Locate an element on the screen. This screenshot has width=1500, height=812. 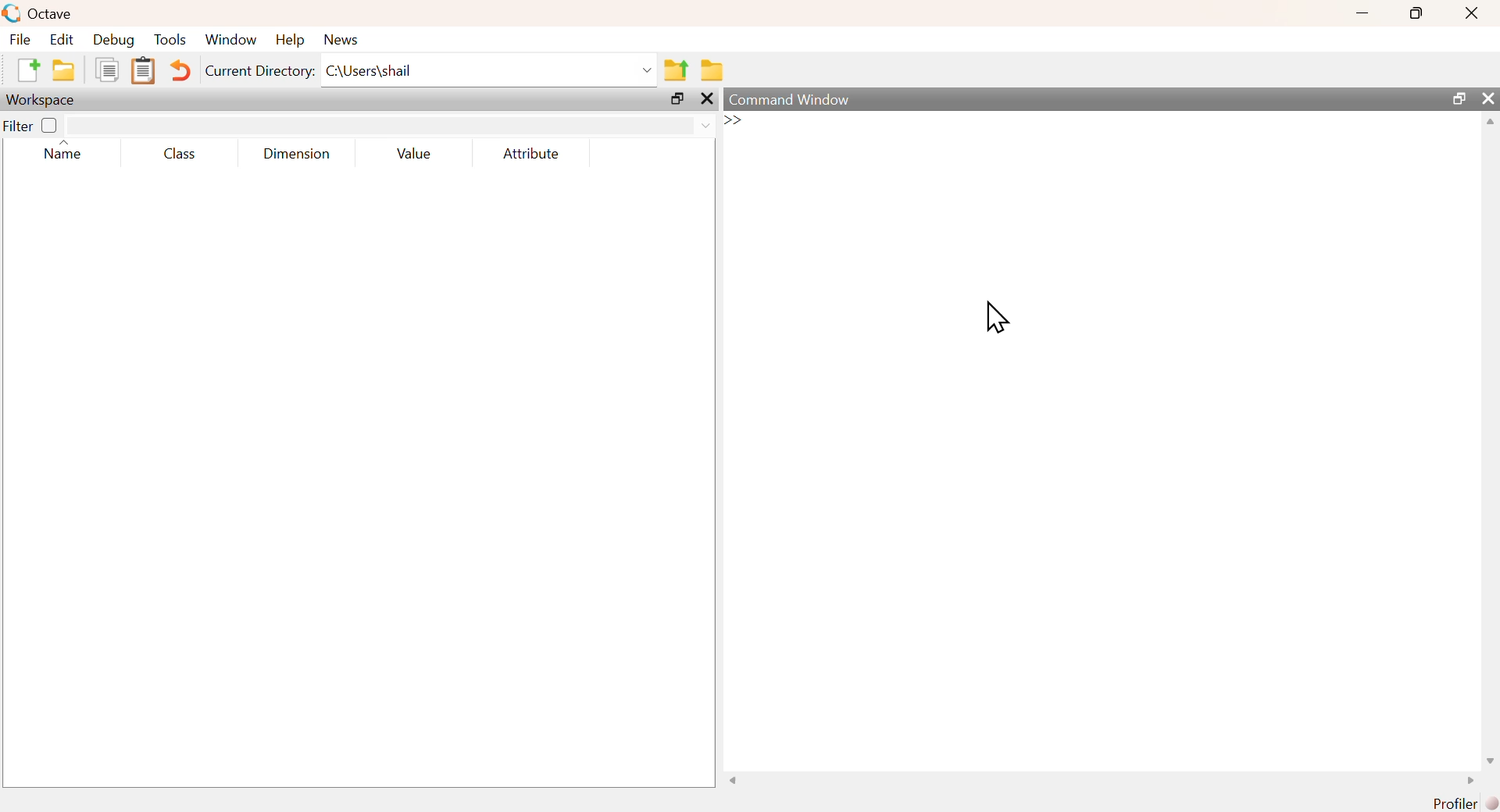
cursor is located at coordinates (995, 316).